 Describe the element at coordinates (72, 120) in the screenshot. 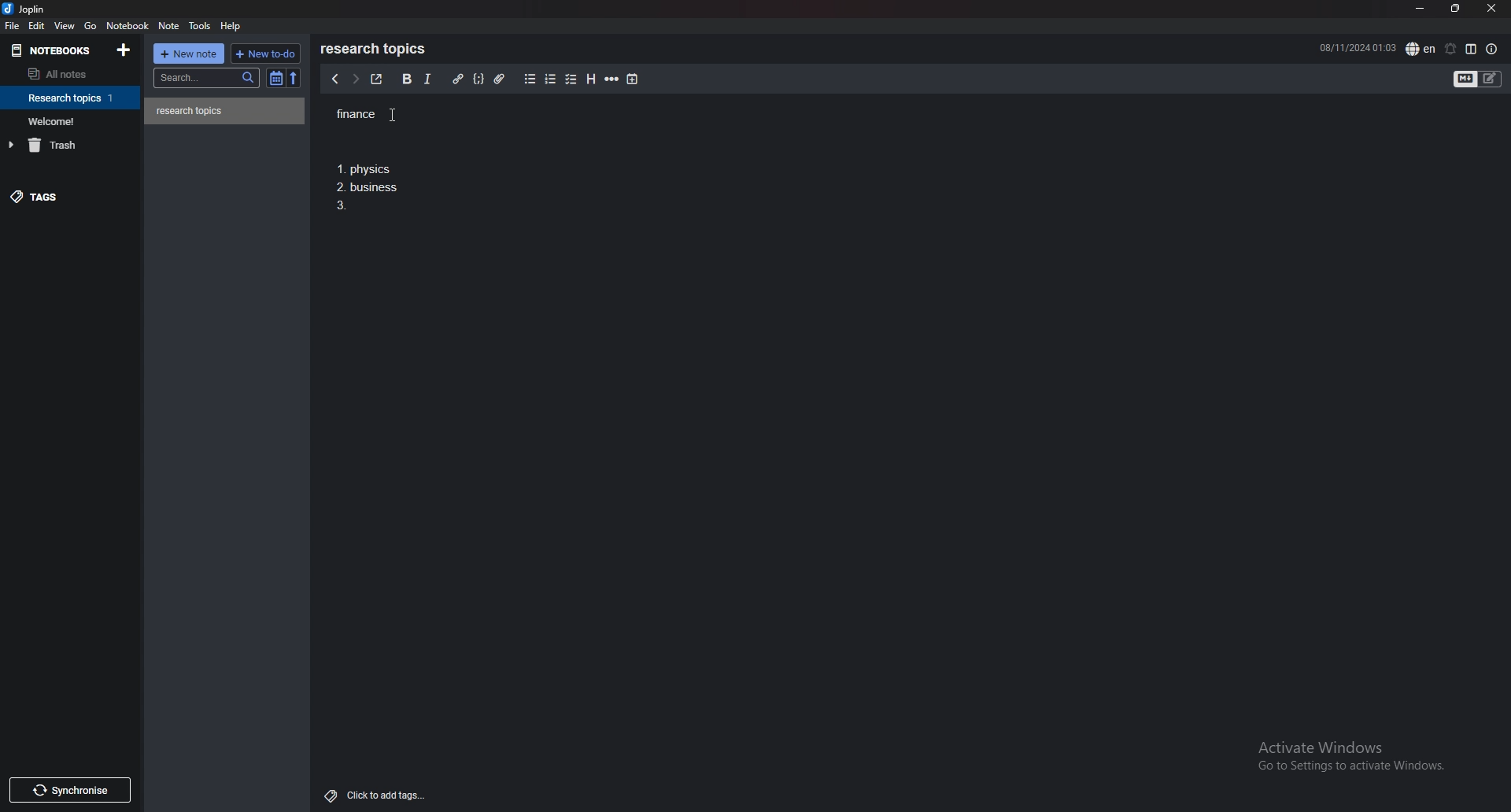

I see `notebook` at that location.